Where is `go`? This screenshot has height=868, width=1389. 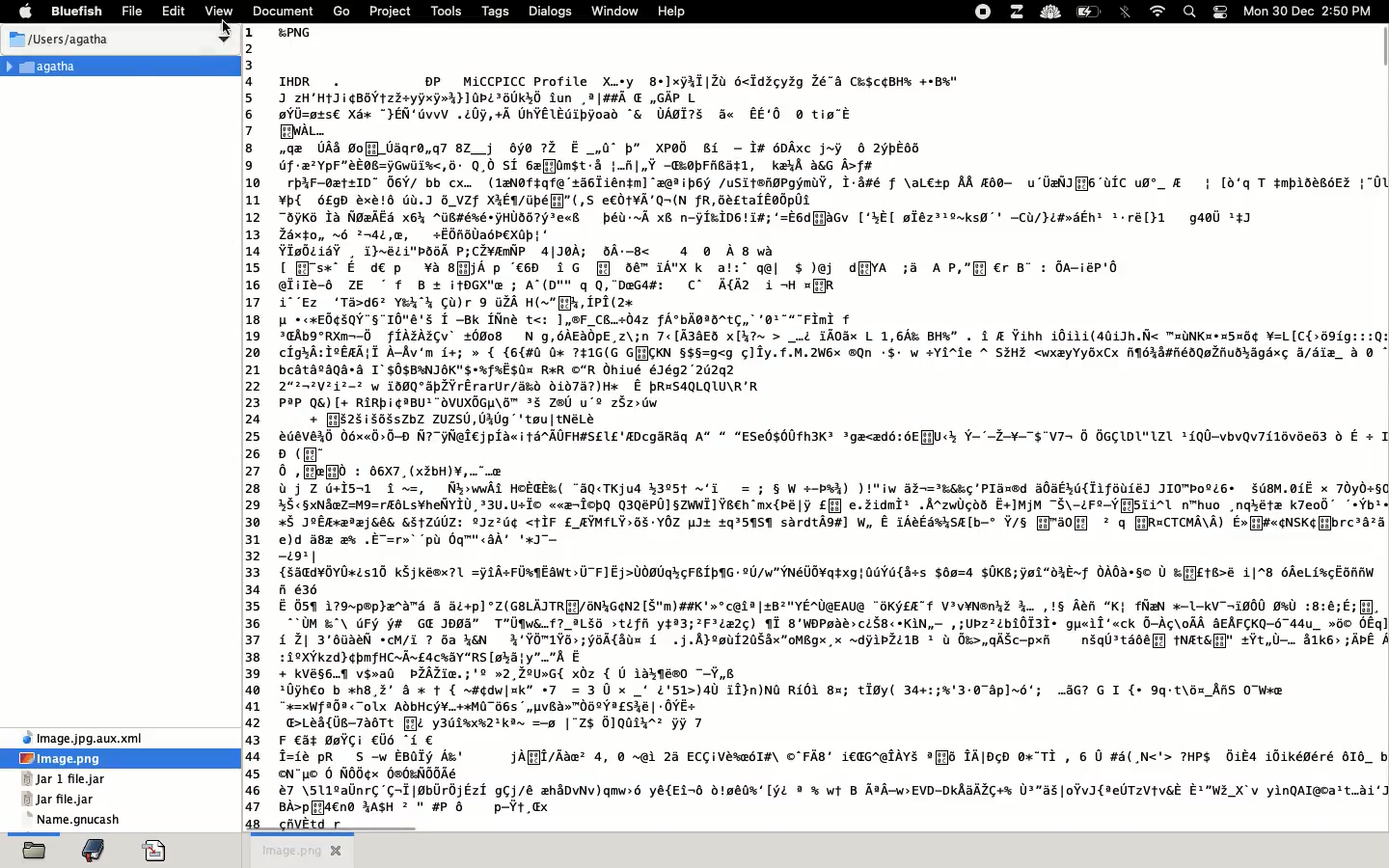
go is located at coordinates (340, 11).